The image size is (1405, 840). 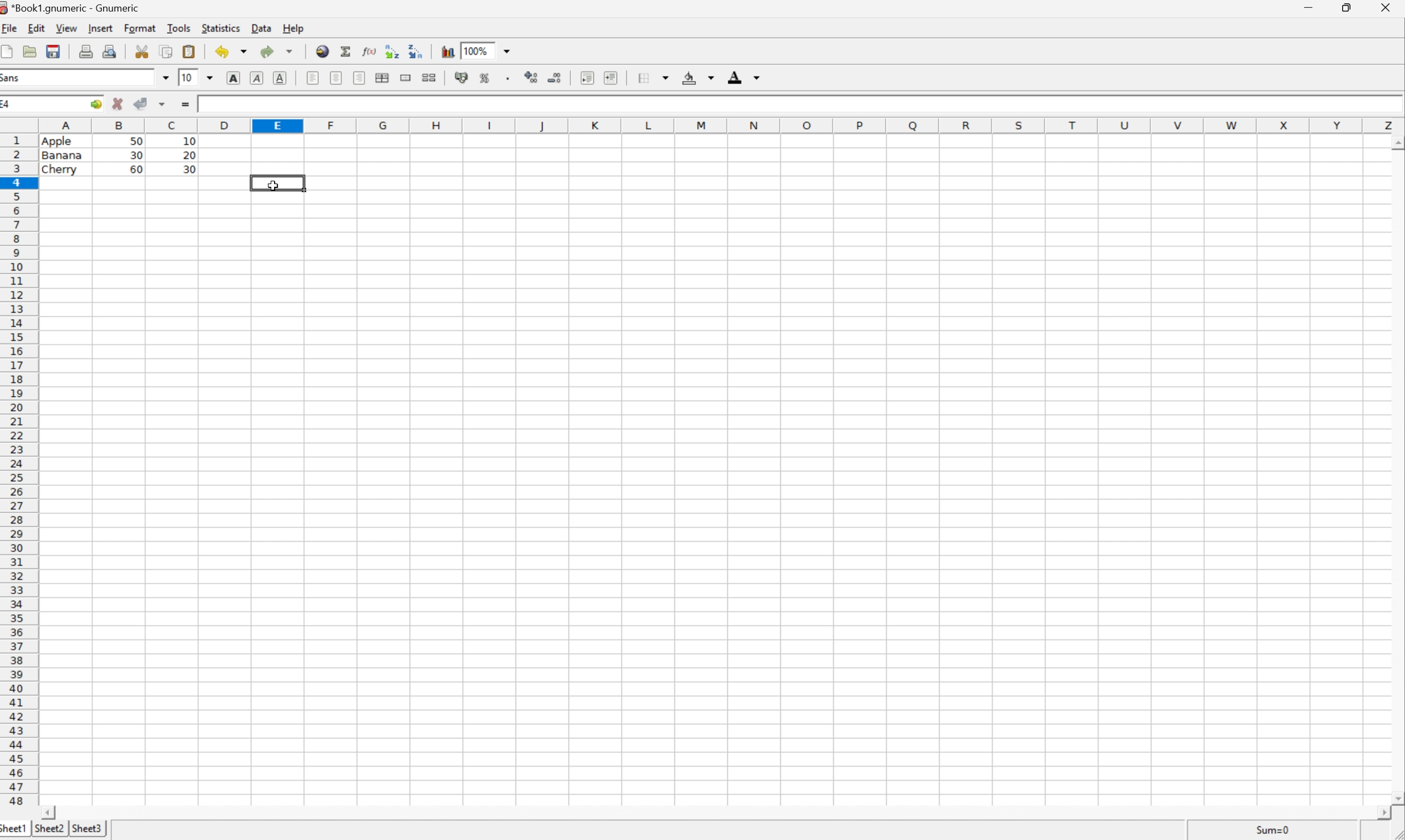 I want to click on go to, so click(x=96, y=104).